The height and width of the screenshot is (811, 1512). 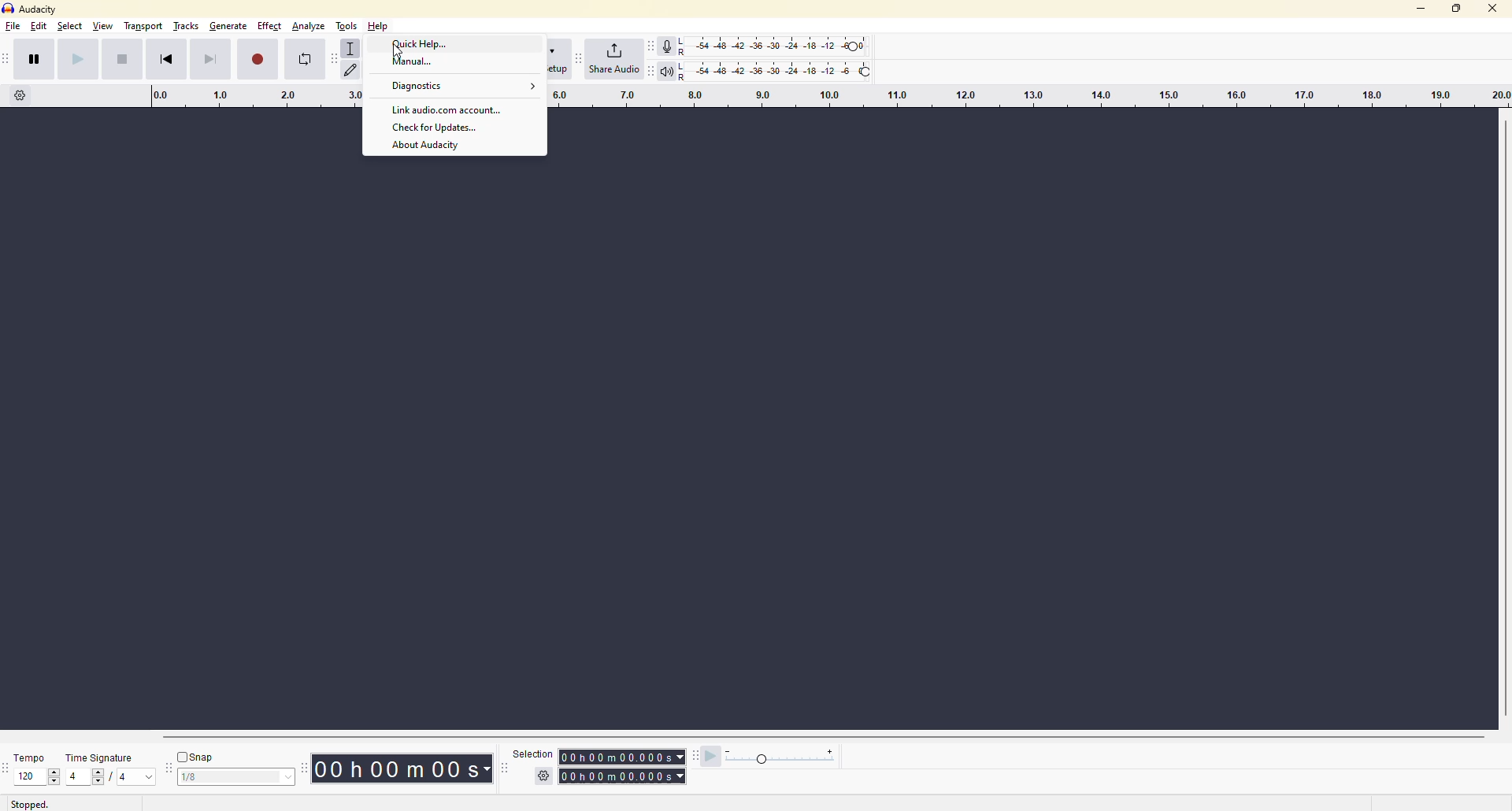 What do you see at coordinates (1424, 12) in the screenshot?
I see `minimize` at bounding box center [1424, 12].